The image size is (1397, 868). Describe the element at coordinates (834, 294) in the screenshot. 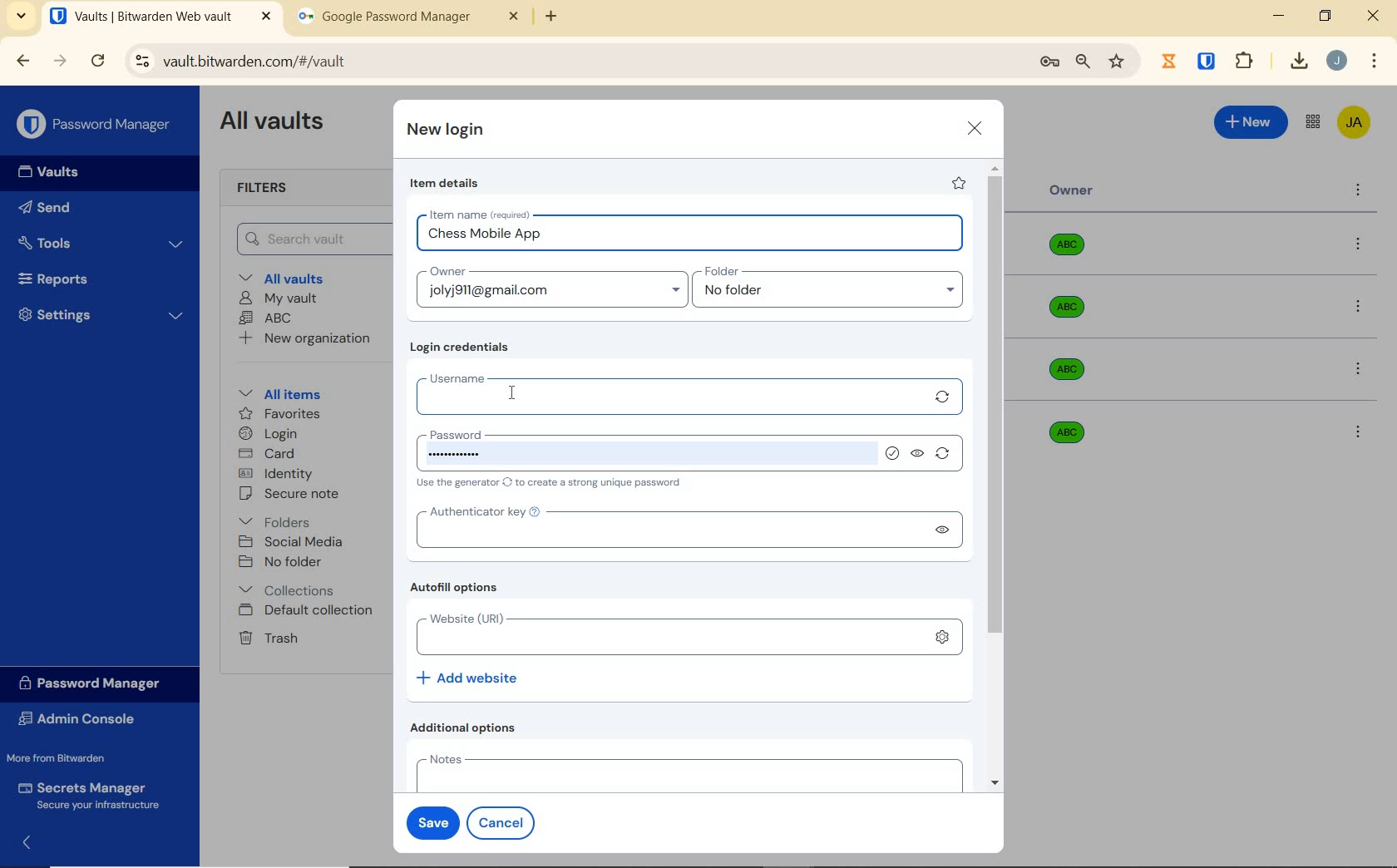

I see `no folder` at that location.